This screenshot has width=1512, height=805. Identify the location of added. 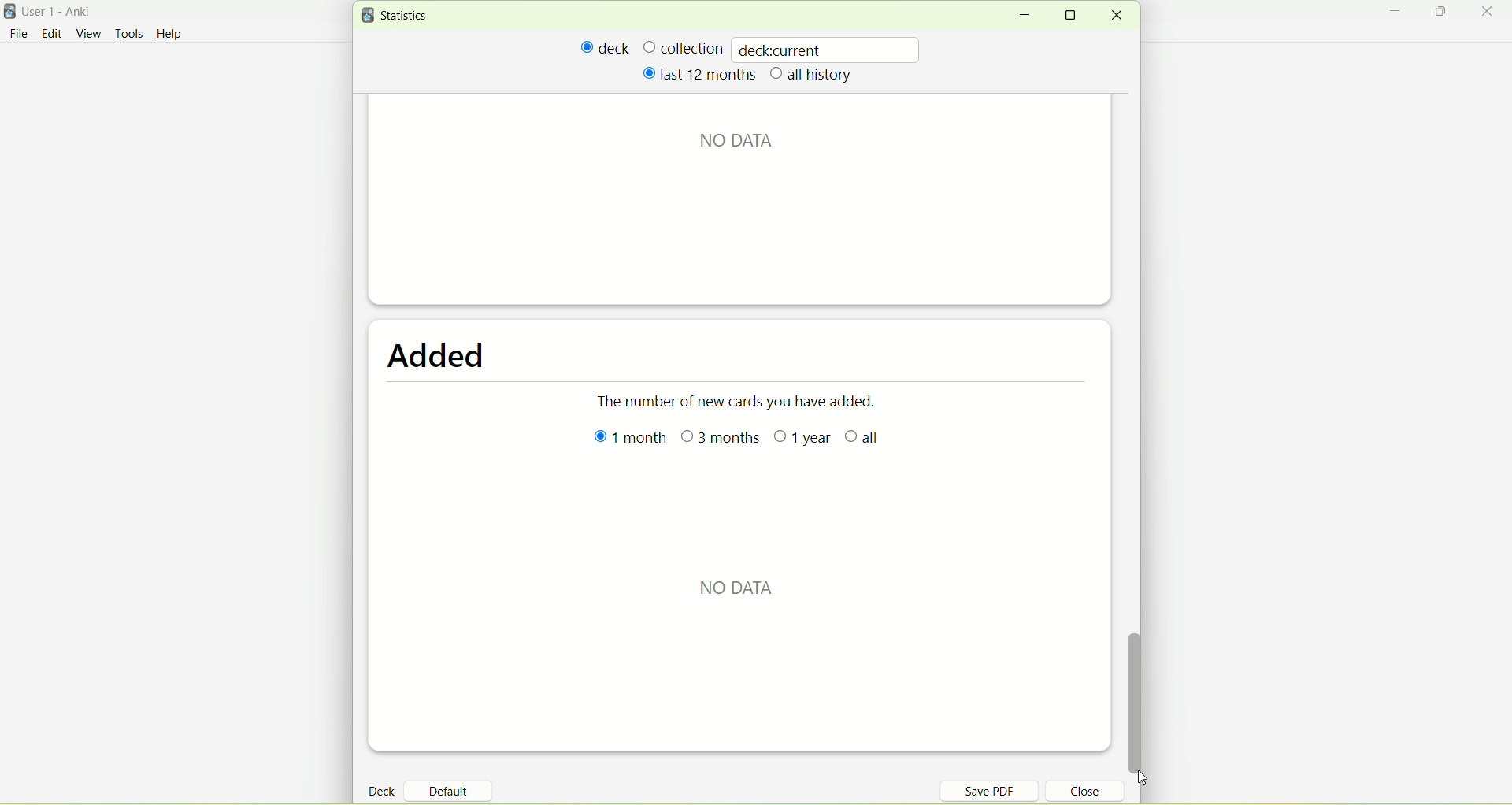
(433, 358).